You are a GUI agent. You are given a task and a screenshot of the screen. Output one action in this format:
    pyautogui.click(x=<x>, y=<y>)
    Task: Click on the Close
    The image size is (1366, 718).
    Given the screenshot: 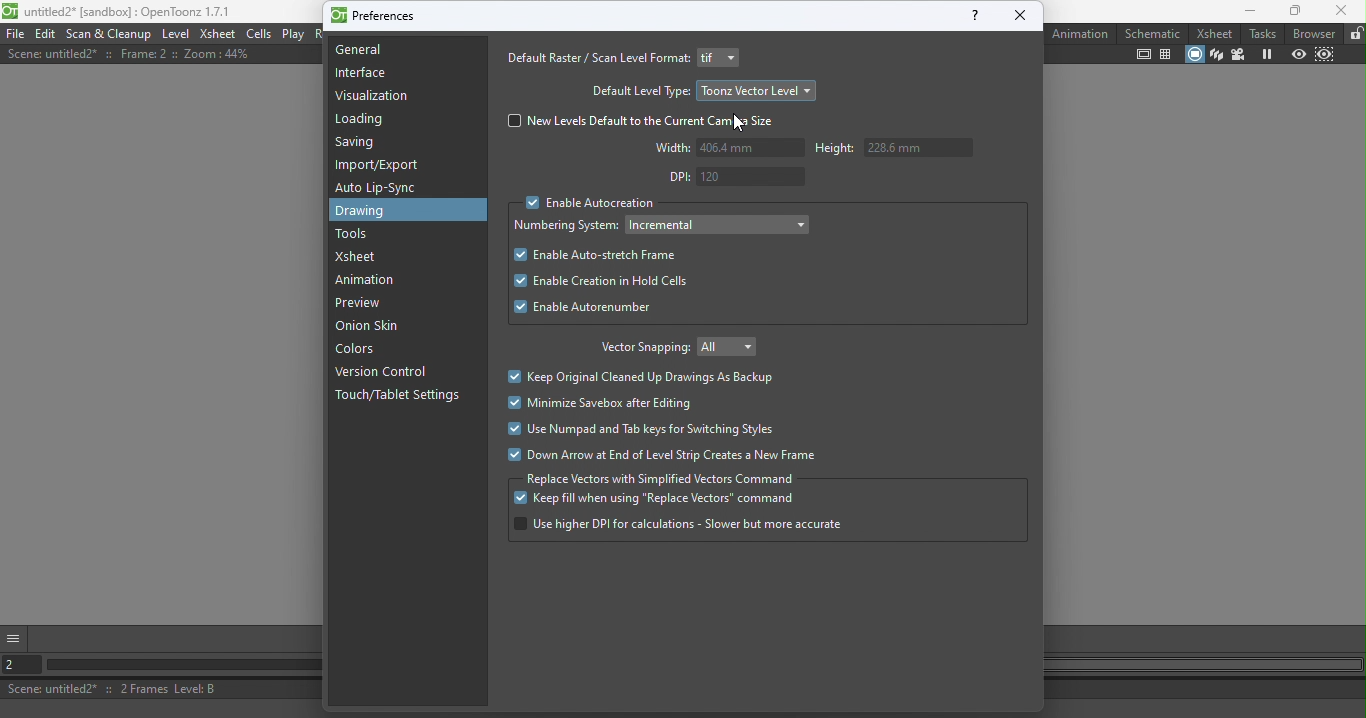 What is the action you would take?
    pyautogui.click(x=1341, y=11)
    